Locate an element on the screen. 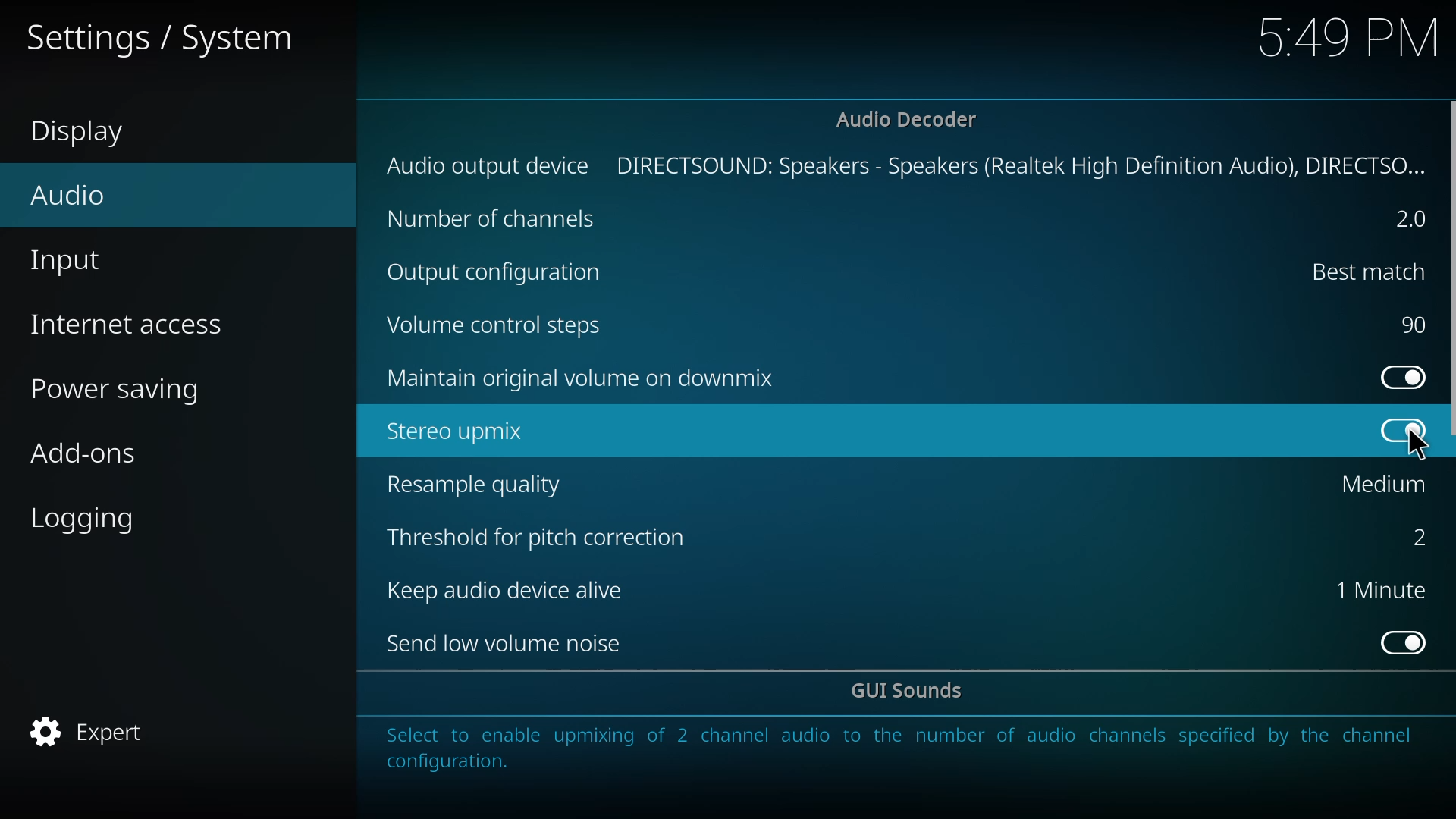 The image size is (1456, 819). power saving is located at coordinates (121, 391).